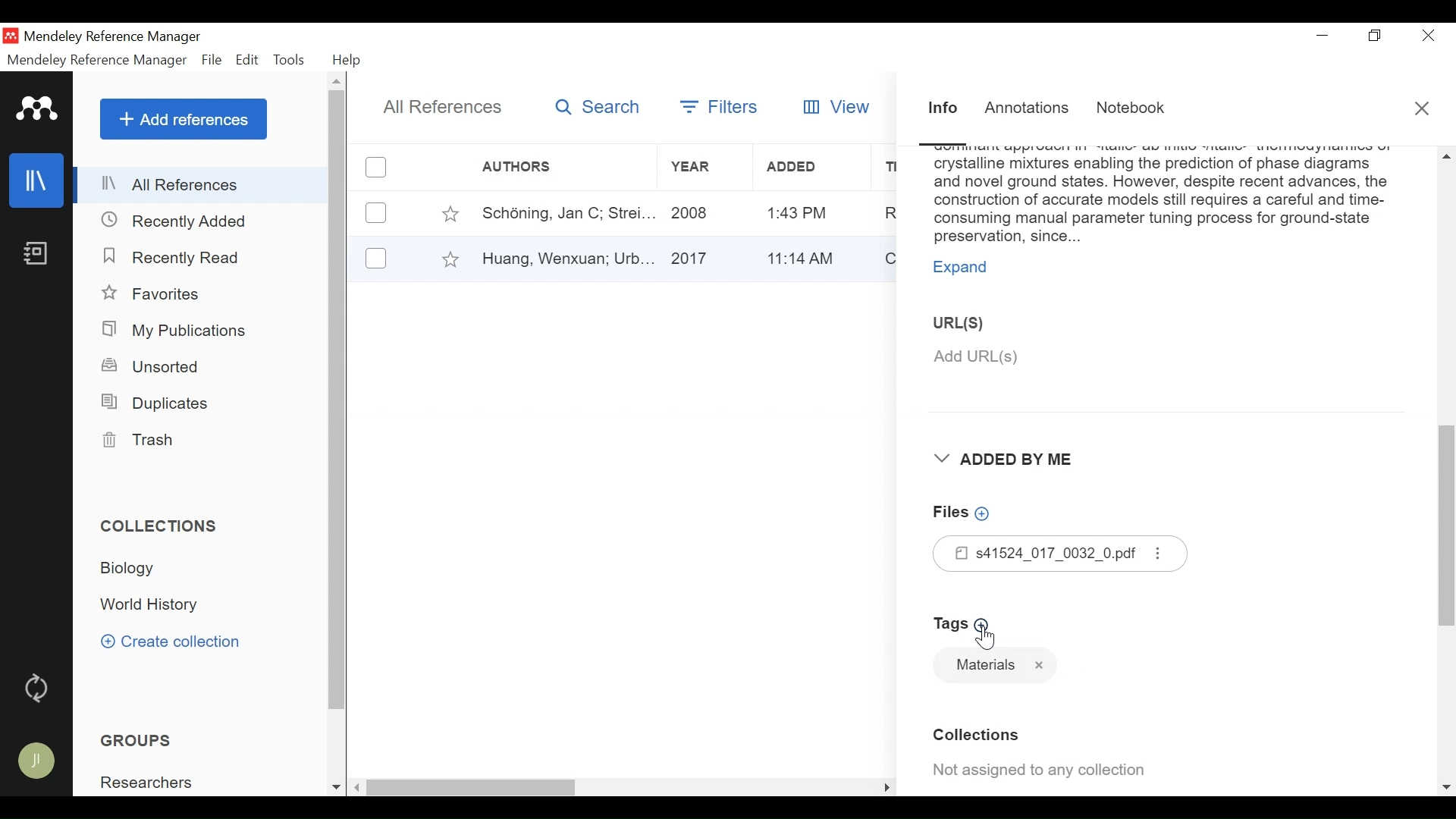  I want to click on (un)select, so click(376, 258).